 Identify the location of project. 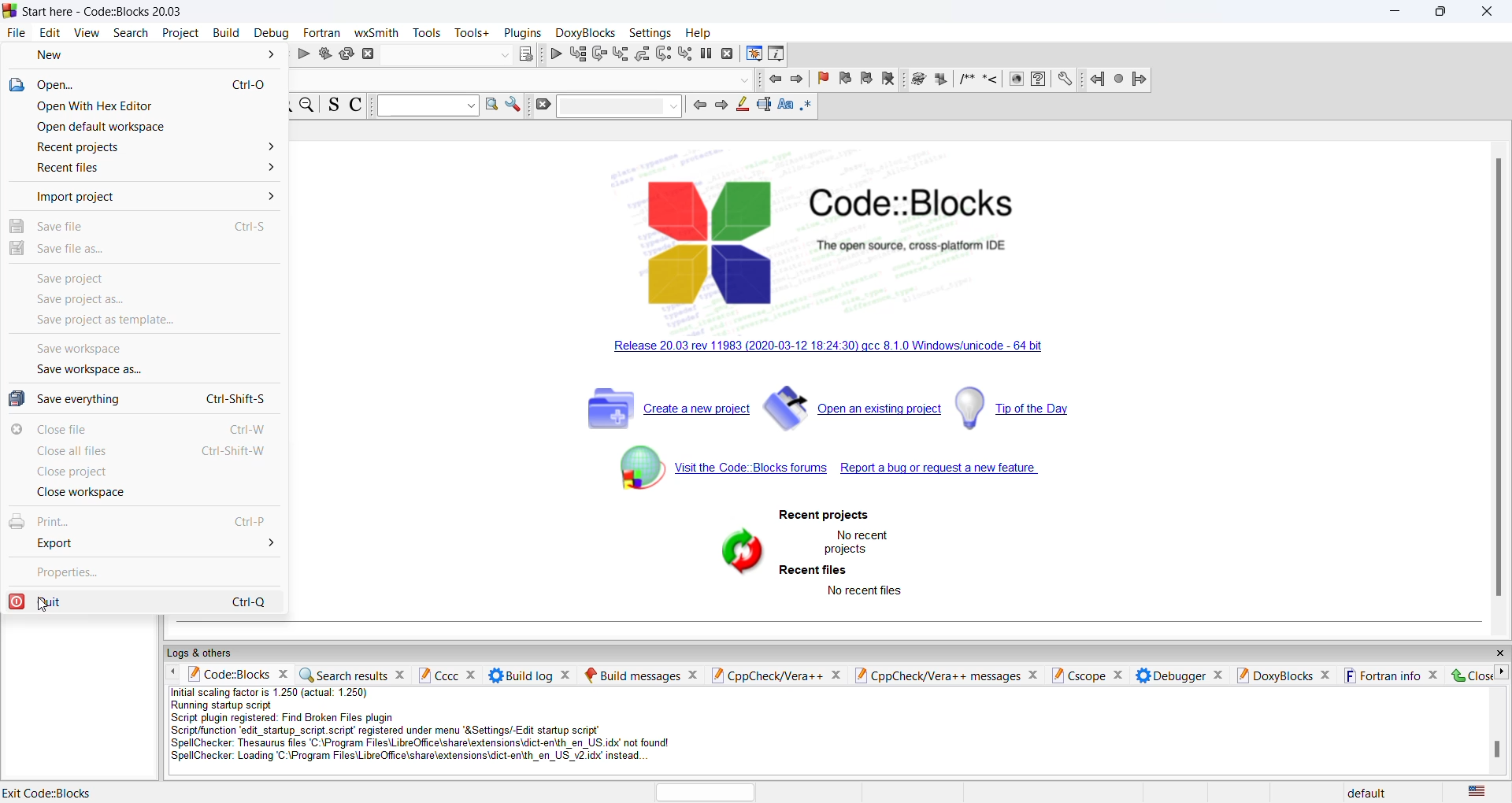
(183, 32).